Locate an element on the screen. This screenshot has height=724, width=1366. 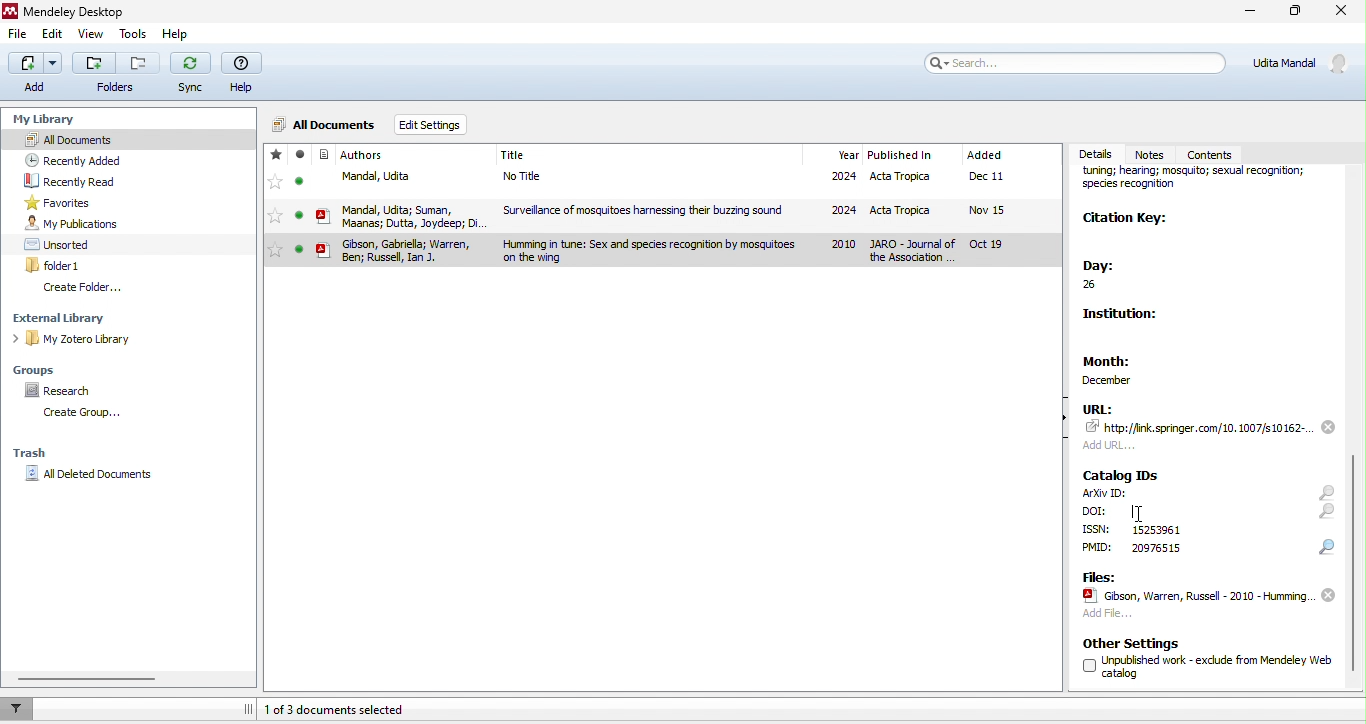
icon is located at coordinates (324, 187).